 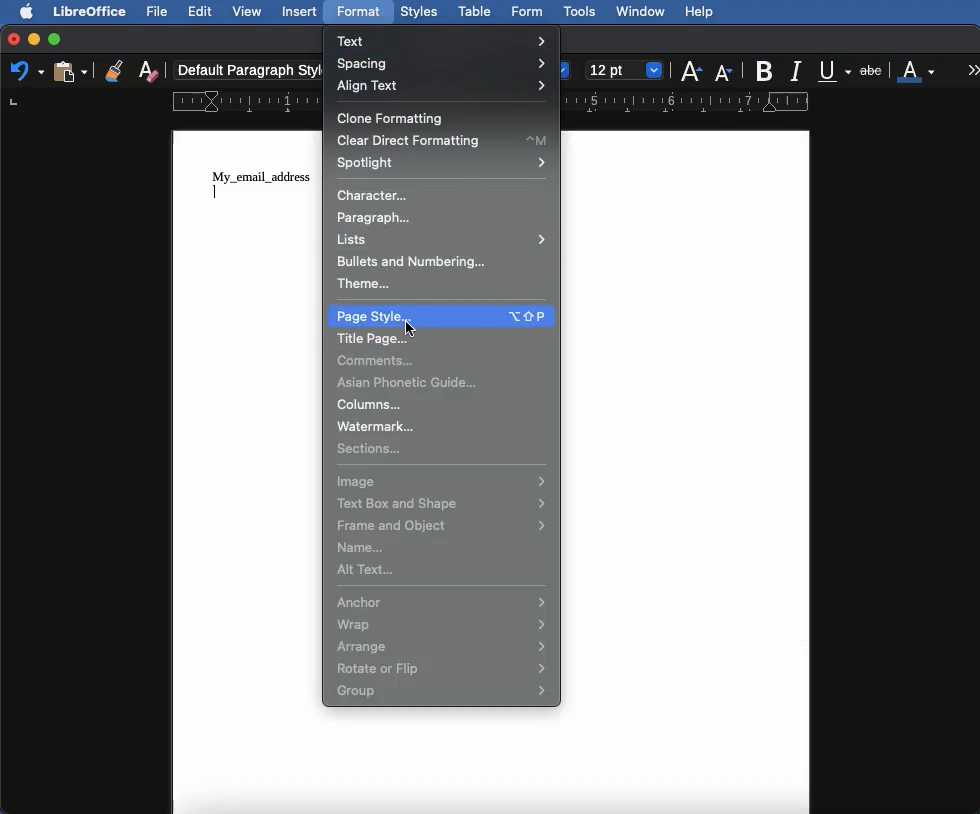 I want to click on Clear formatting, so click(x=148, y=69).